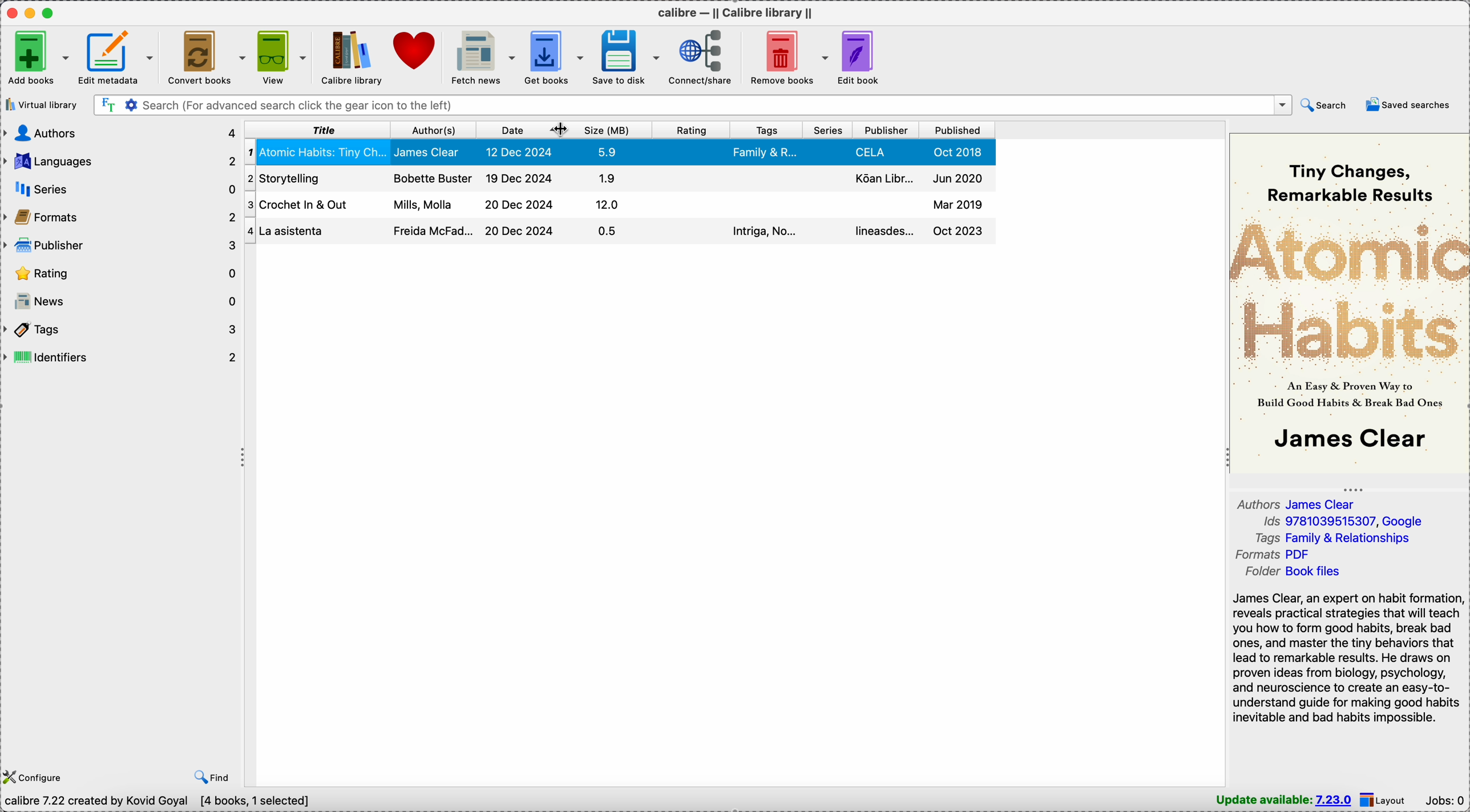 This screenshot has width=1470, height=812. I want to click on connect/share, so click(705, 58).